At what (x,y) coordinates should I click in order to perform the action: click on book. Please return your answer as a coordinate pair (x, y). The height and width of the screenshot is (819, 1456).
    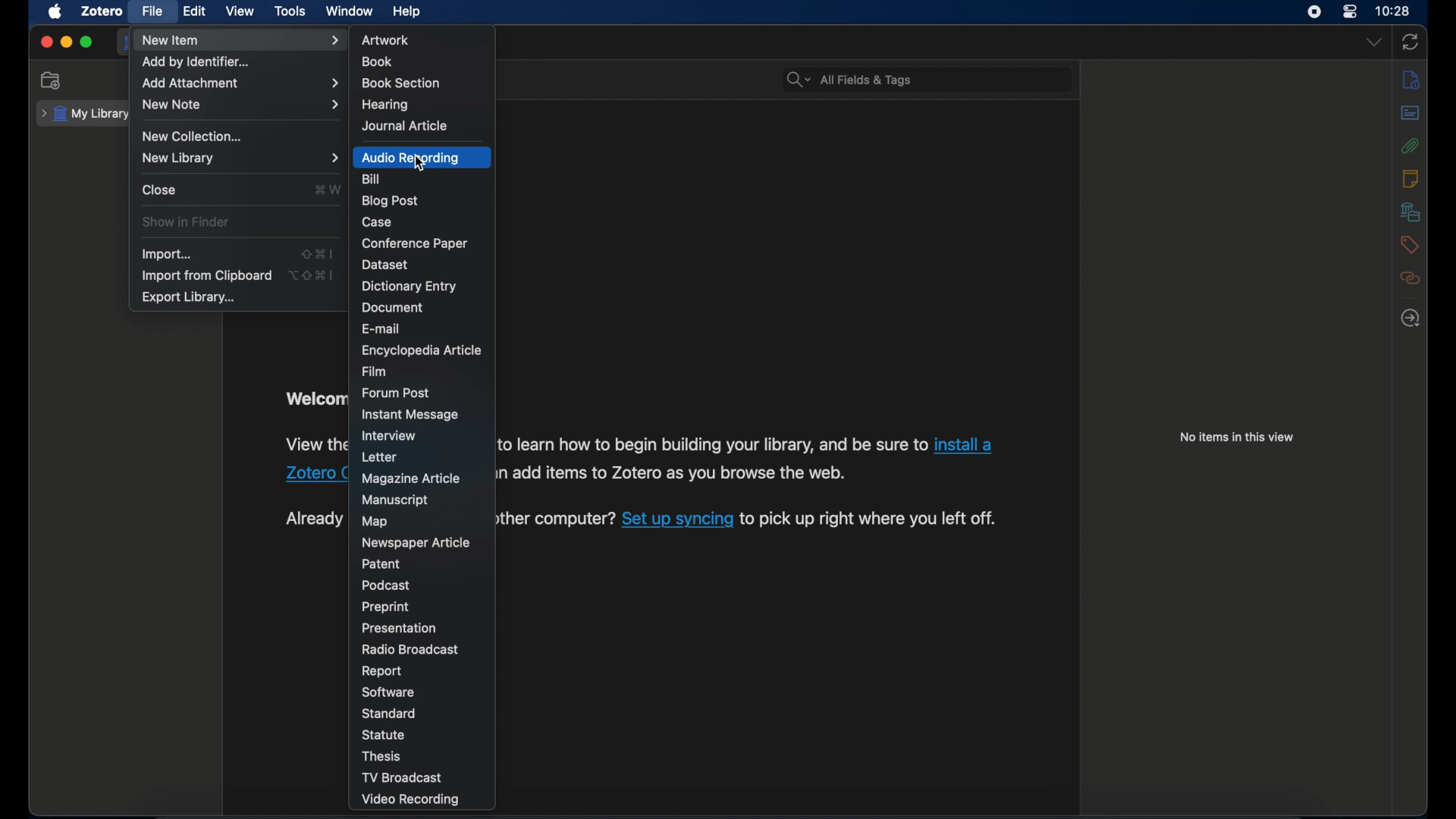
    Looking at the image, I should click on (379, 62).